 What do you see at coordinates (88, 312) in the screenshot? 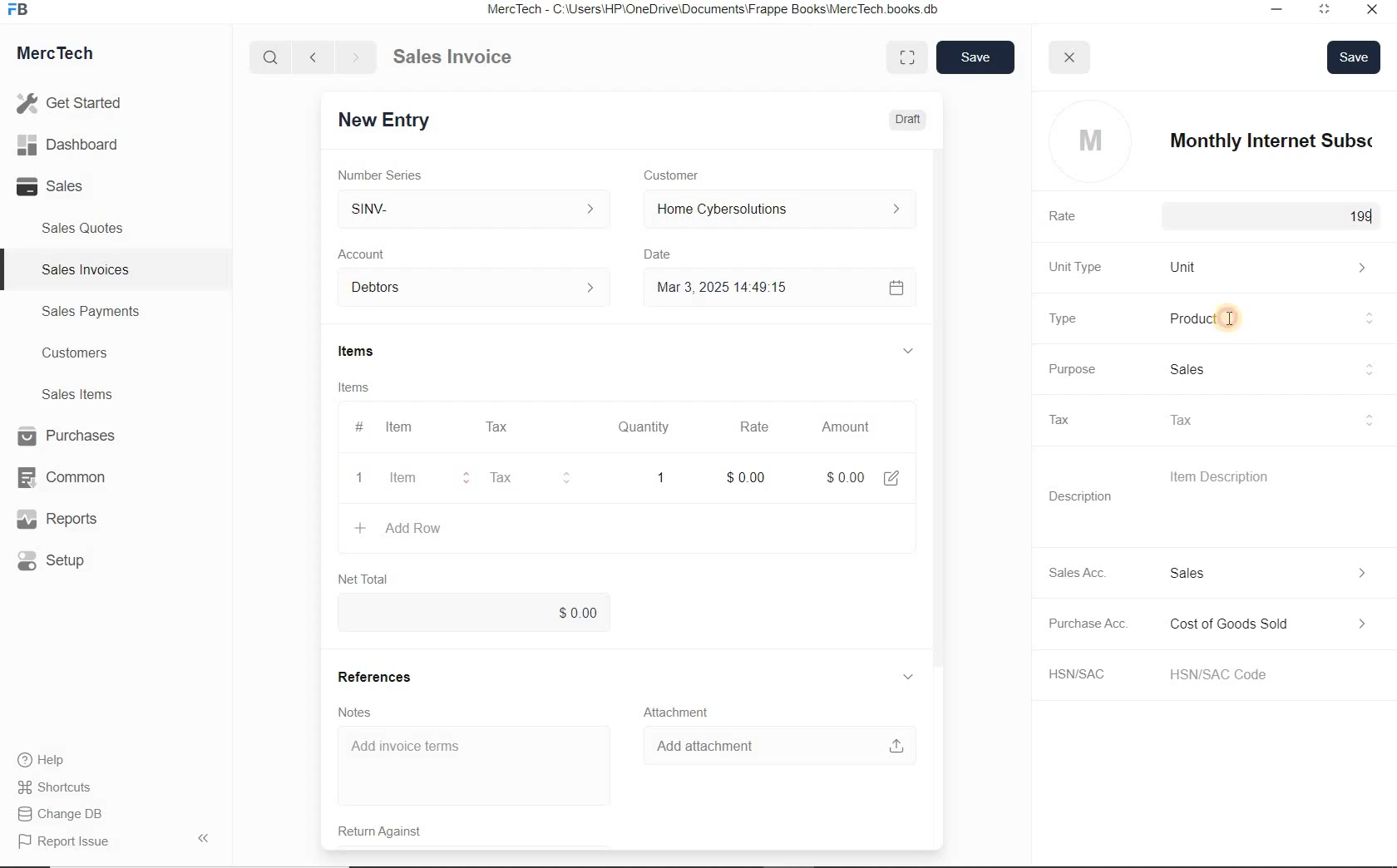
I see `Sales Payments` at bounding box center [88, 312].